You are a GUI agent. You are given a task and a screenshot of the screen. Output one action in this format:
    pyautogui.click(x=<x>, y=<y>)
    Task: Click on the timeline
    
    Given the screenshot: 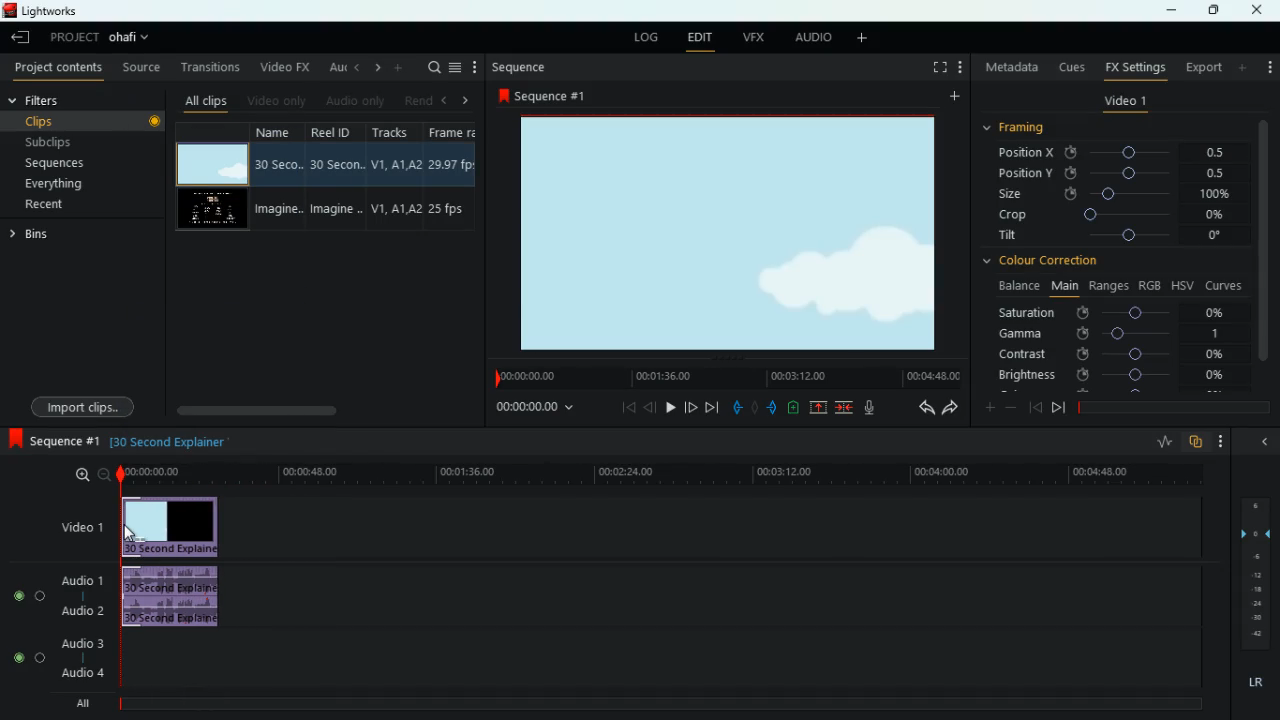 What is the action you would take?
    pyautogui.click(x=666, y=705)
    